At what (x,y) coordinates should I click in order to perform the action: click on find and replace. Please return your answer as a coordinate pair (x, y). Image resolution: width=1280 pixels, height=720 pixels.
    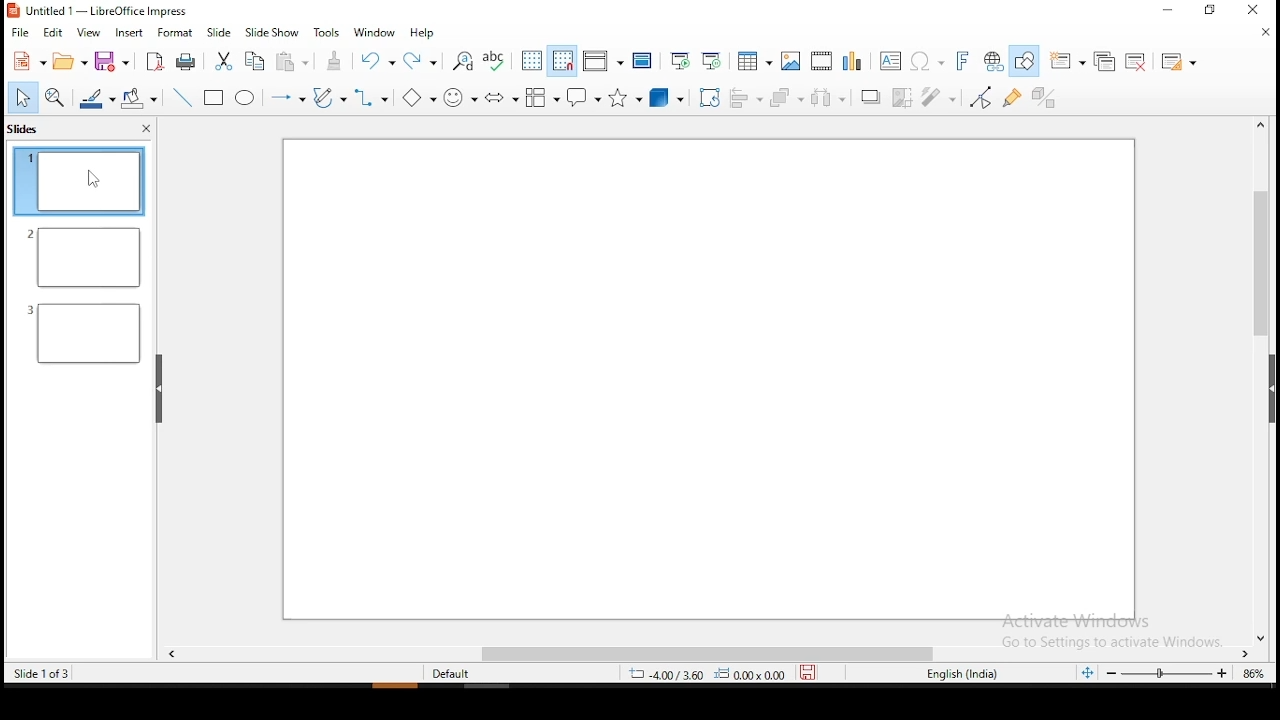
    Looking at the image, I should click on (464, 64).